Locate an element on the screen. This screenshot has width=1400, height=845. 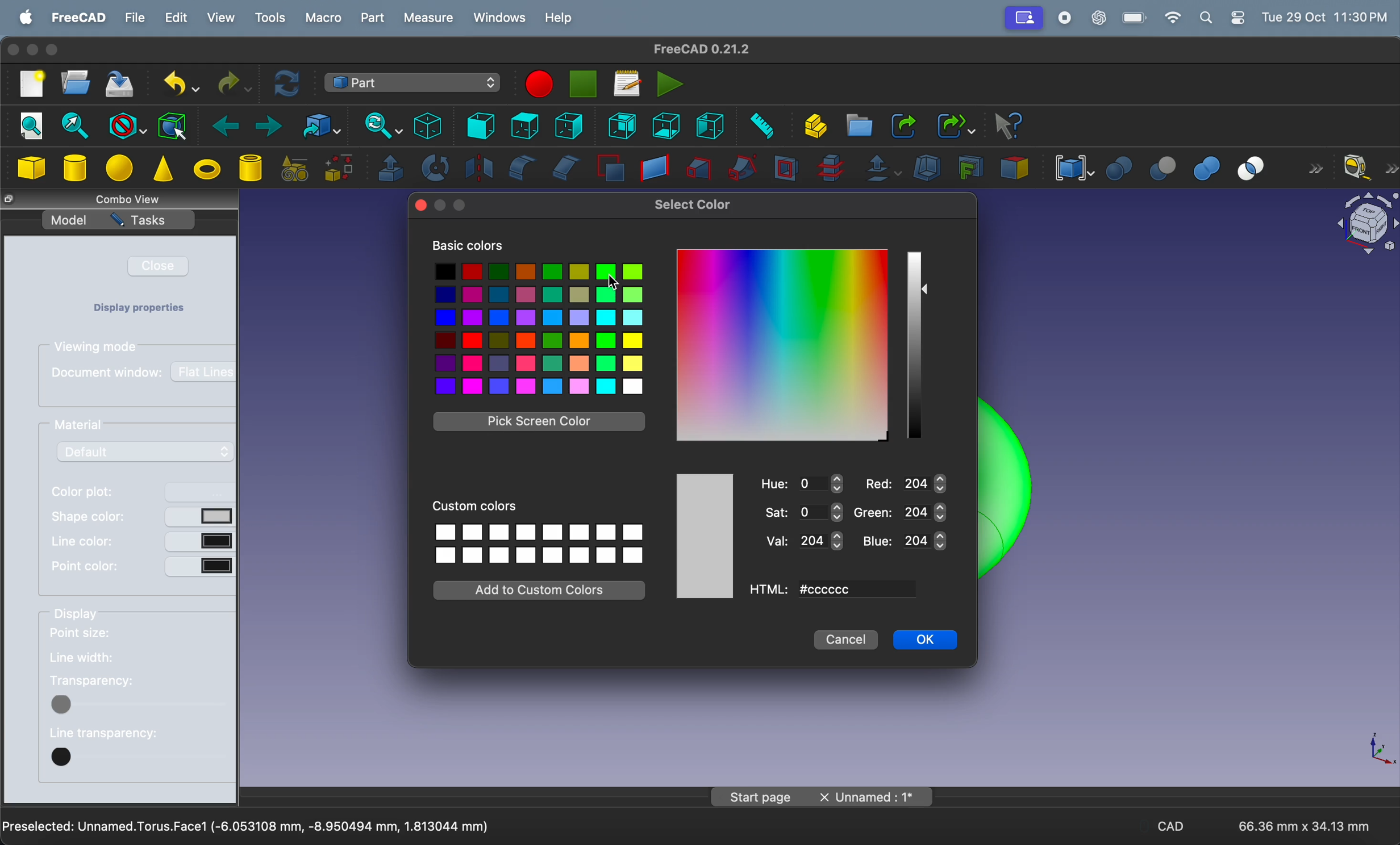
shade is located at coordinates (911, 345).